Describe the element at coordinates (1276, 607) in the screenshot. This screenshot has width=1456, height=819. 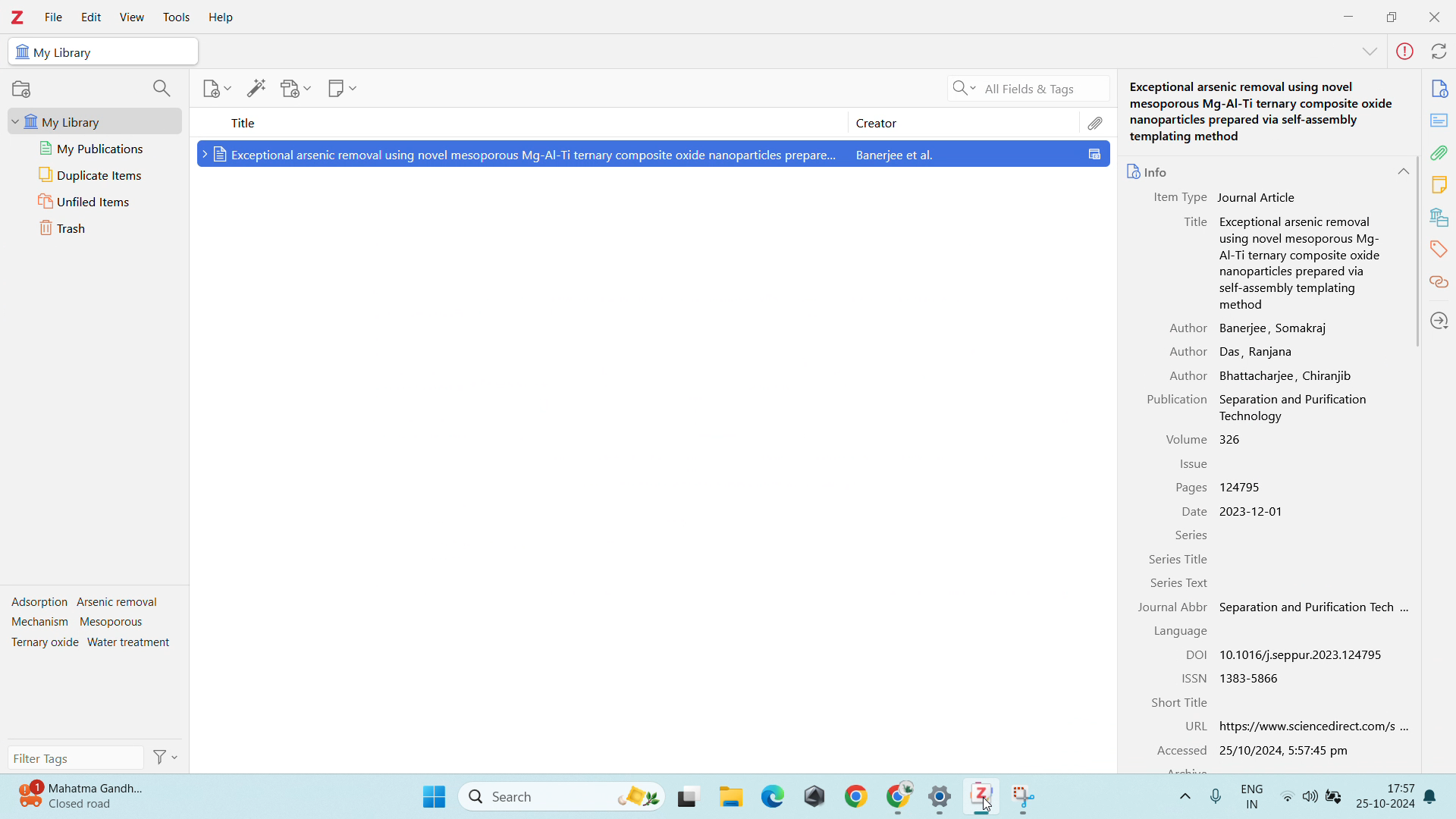
I see `Journal Abbr Separation and Purification Tech ...` at that location.